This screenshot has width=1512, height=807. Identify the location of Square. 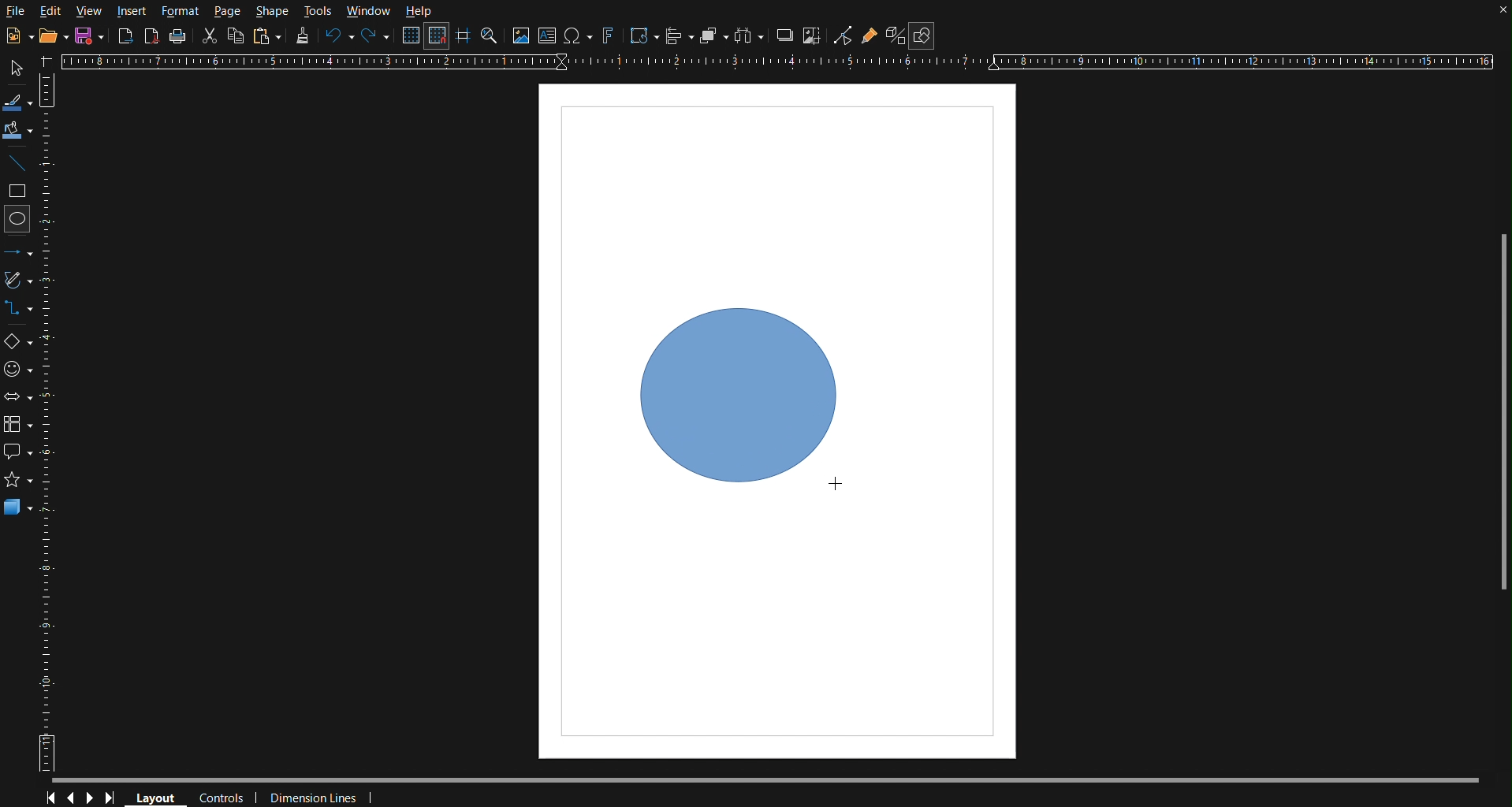
(19, 192).